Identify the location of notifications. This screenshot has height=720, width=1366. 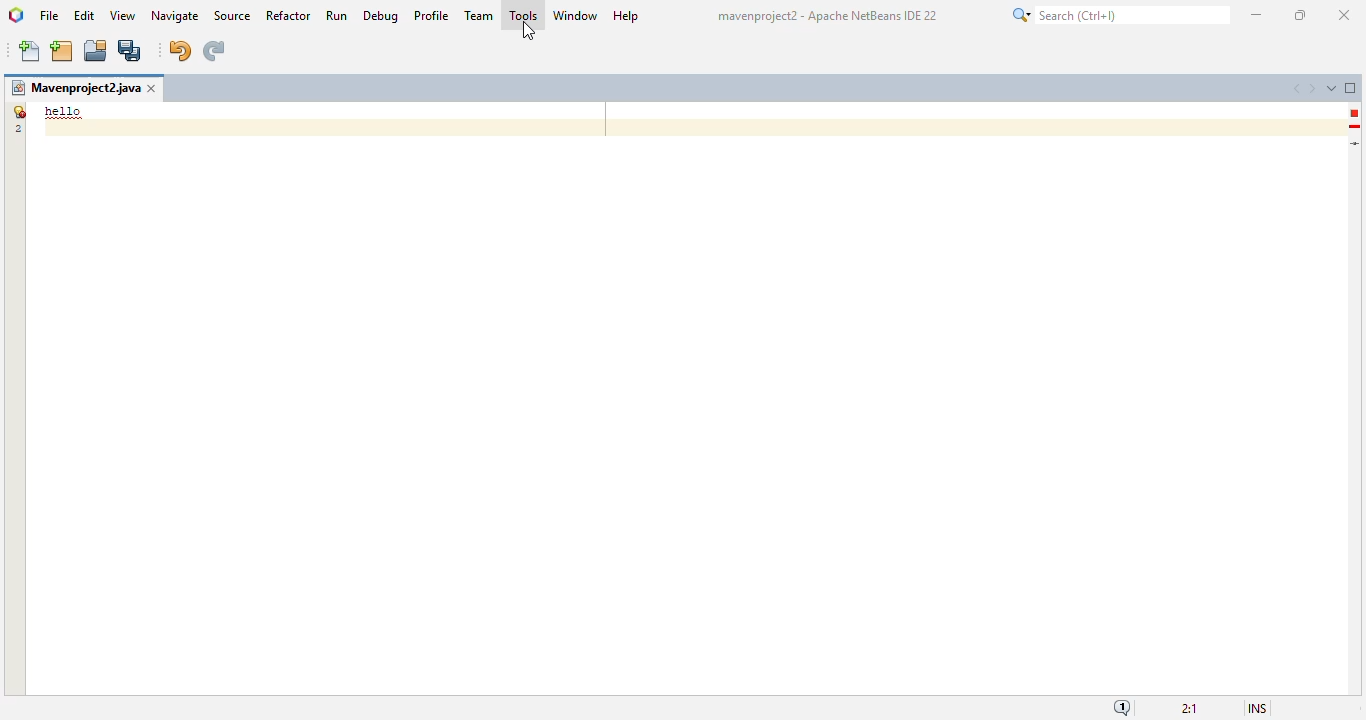
(1123, 708).